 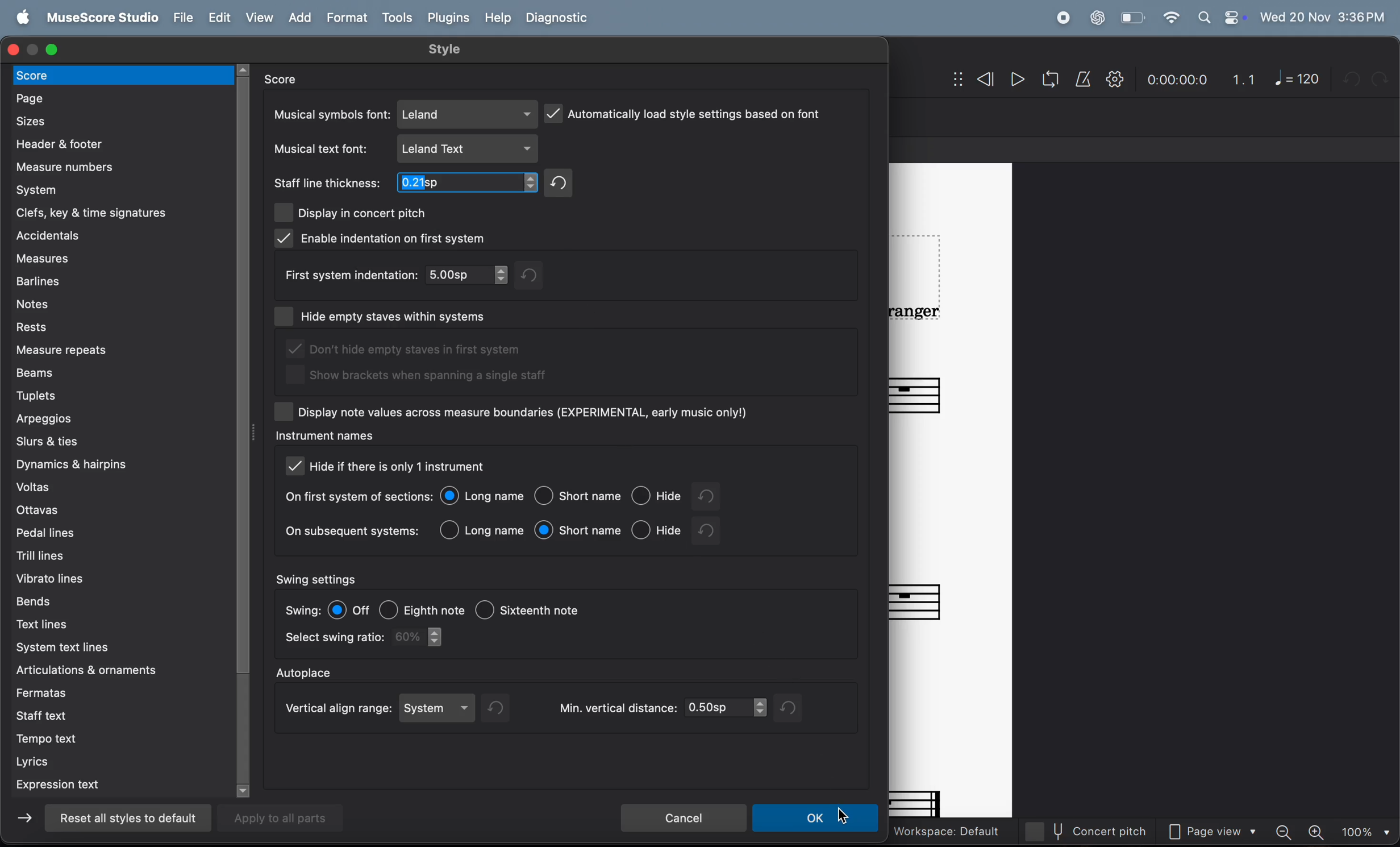 I want to click on measure, so click(x=111, y=167).